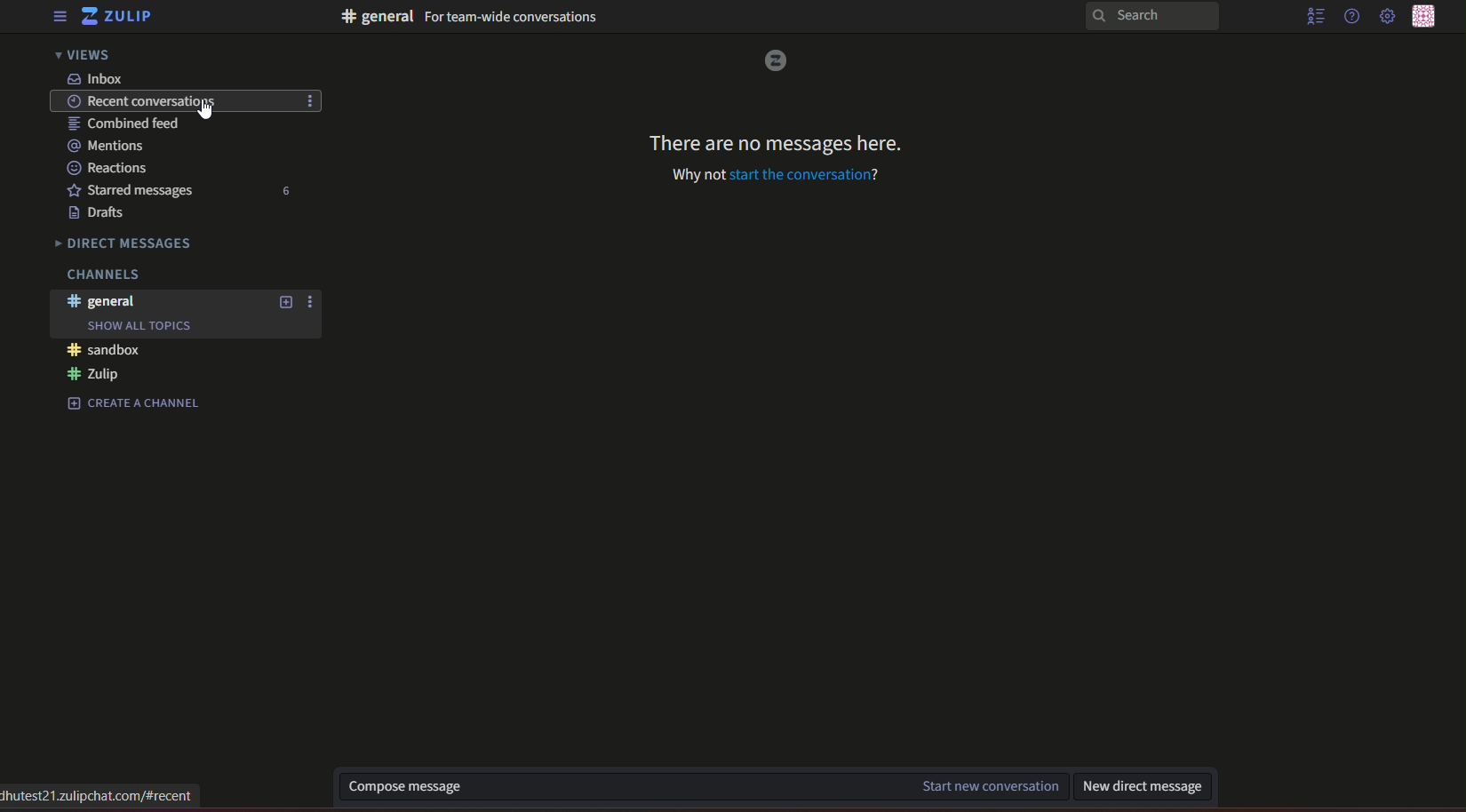 Image resolution: width=1466 pixels, height=812 pixels. What do you see at coordinates (961, 785) in the screenshot?
I see `Start a conversation` at bounding box center [961, 785].